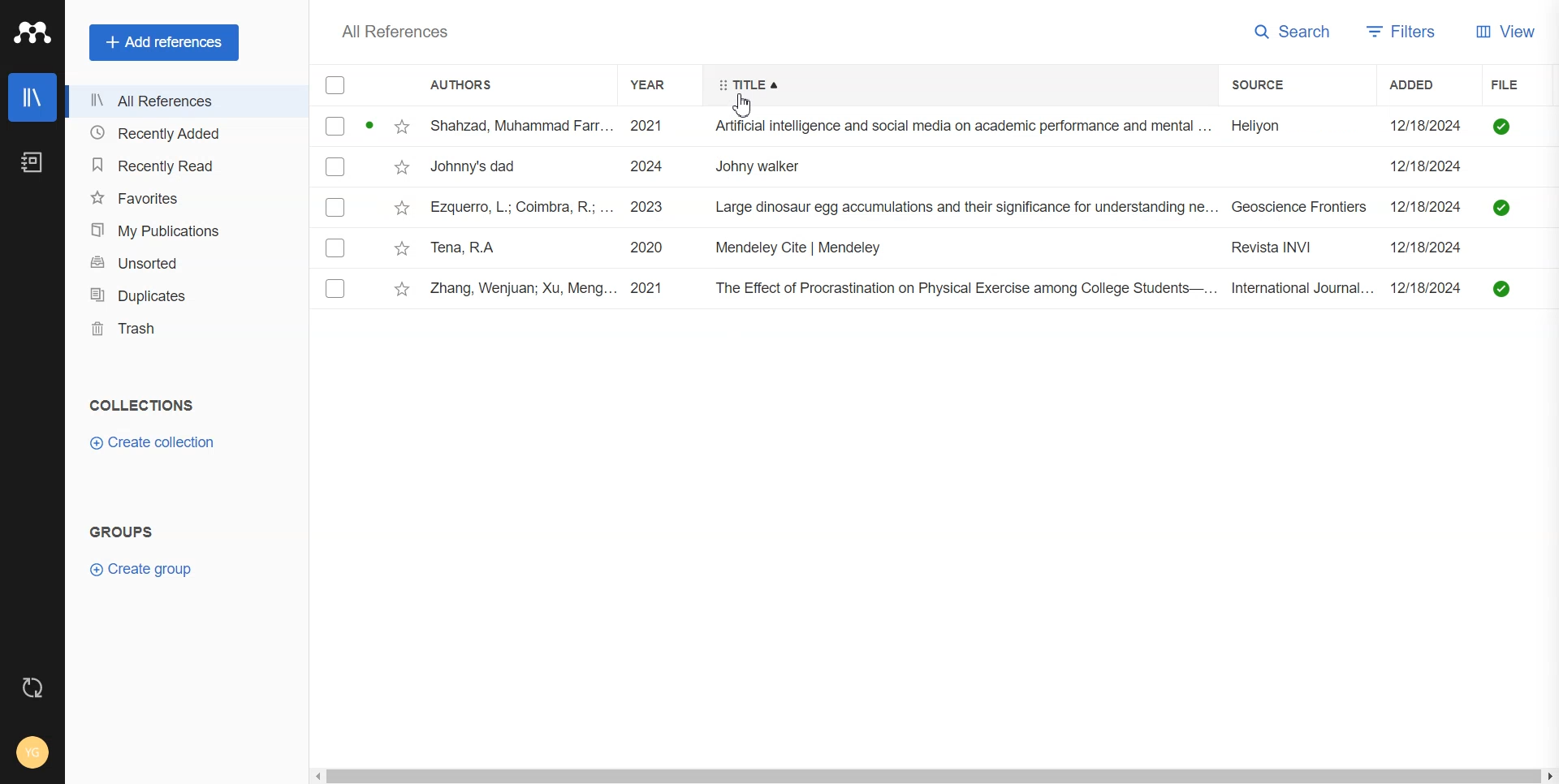  Describe the element at coordinates (186, 198) in the screenshot. I see `Favorites` at that location.